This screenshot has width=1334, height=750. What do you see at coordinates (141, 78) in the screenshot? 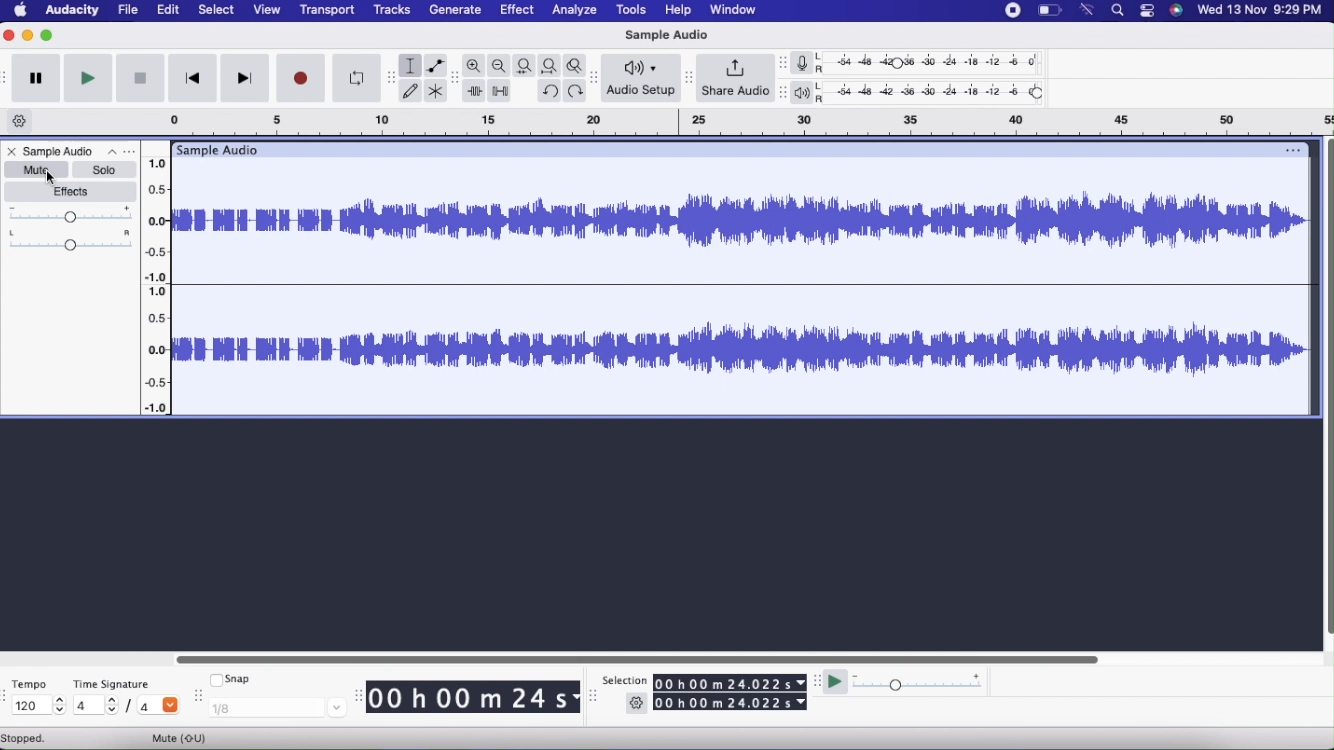
I see `Stop` at bounding box center [141, 78].